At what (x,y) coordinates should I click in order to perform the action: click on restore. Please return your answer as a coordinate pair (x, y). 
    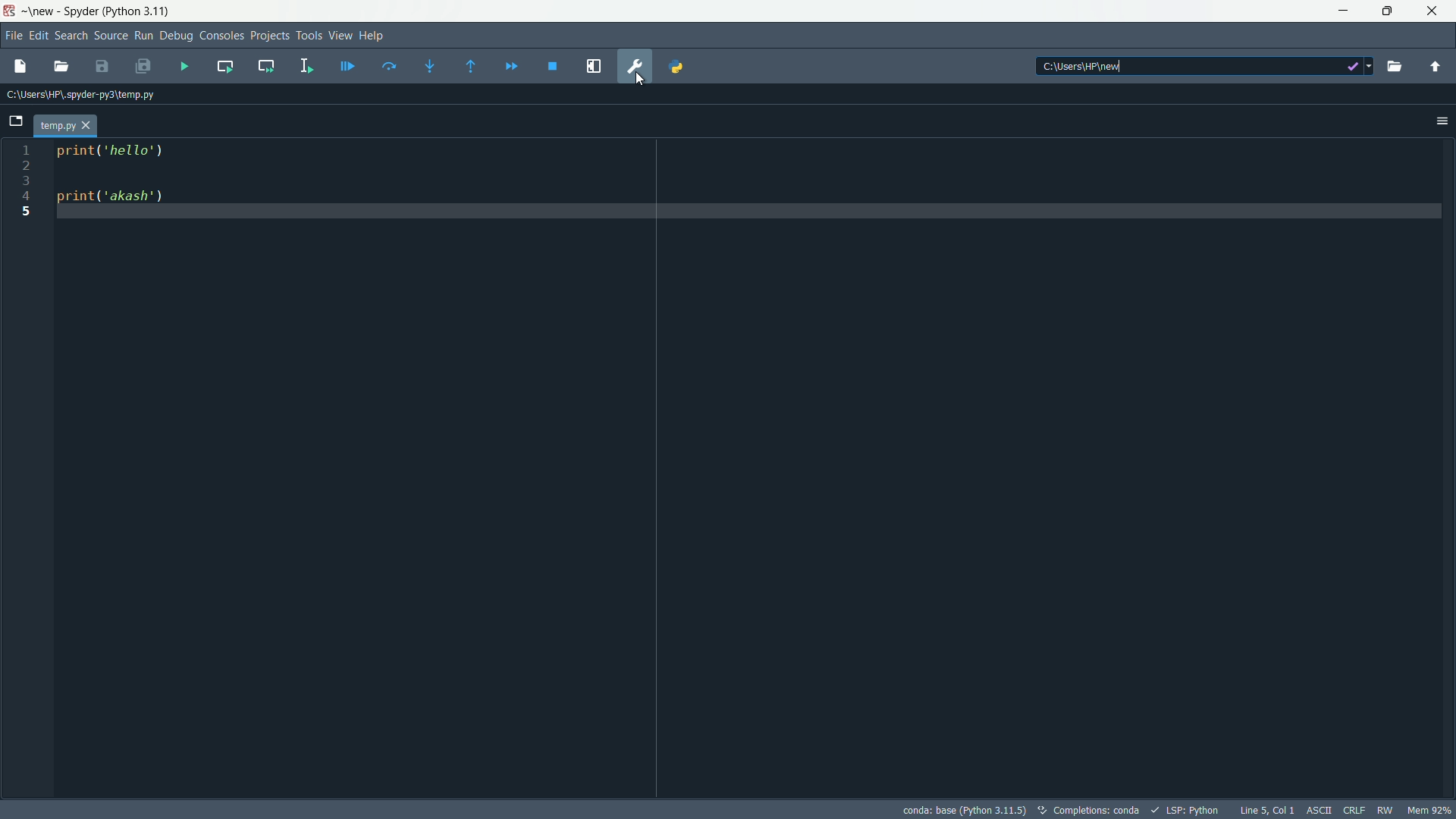
    Looking at the image, I should click on (1387, 11).